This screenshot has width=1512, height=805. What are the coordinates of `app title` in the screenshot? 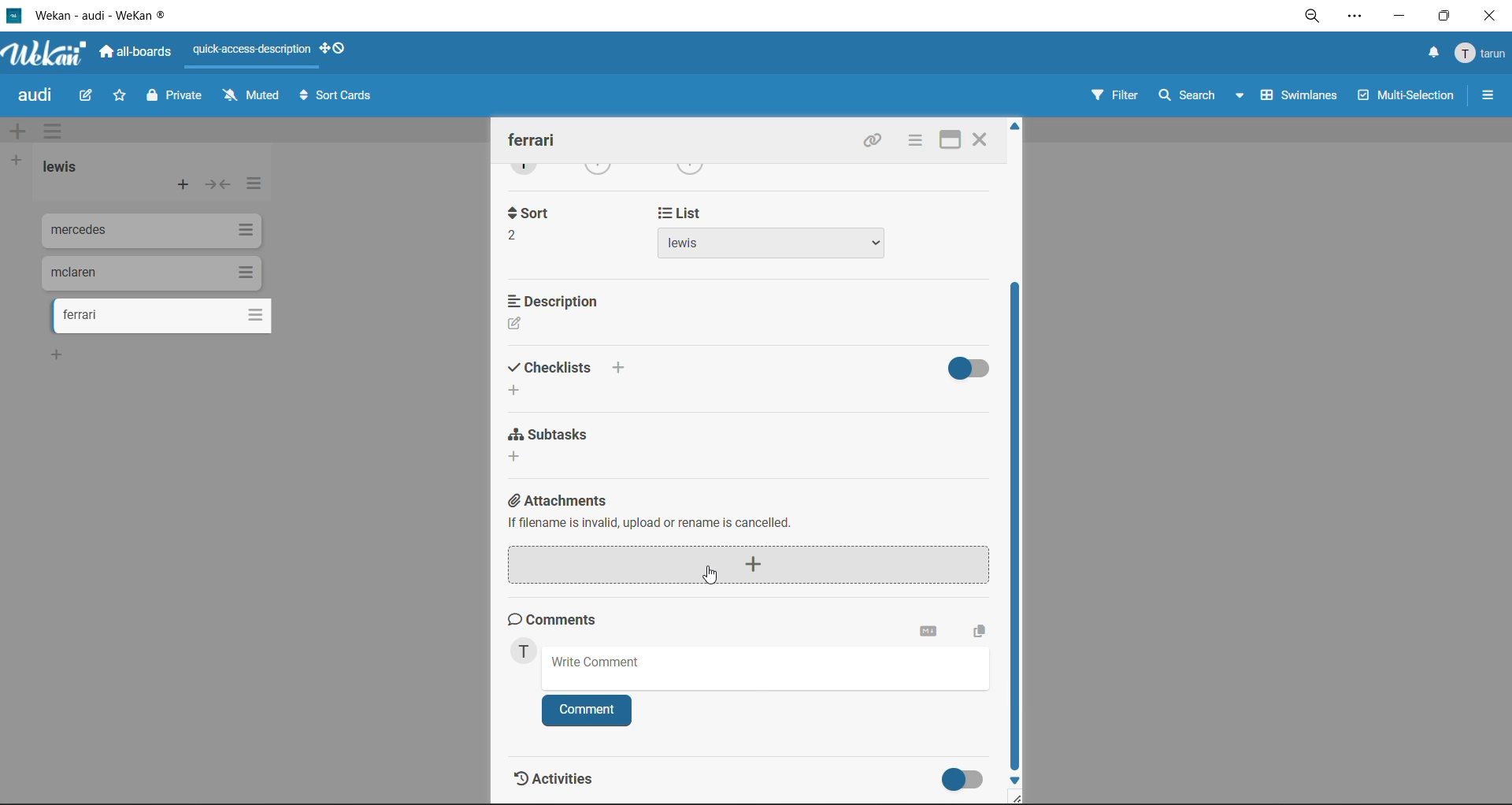 It's located at (121, 13).